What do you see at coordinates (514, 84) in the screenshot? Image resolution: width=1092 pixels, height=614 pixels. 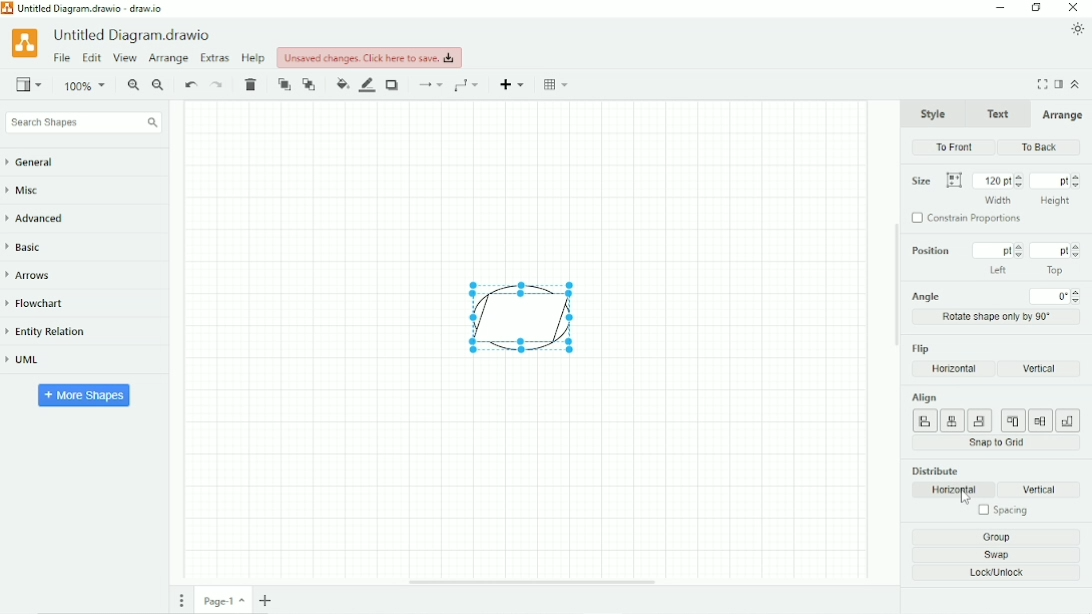 I see `Insert` at bounding box center [514, 84].